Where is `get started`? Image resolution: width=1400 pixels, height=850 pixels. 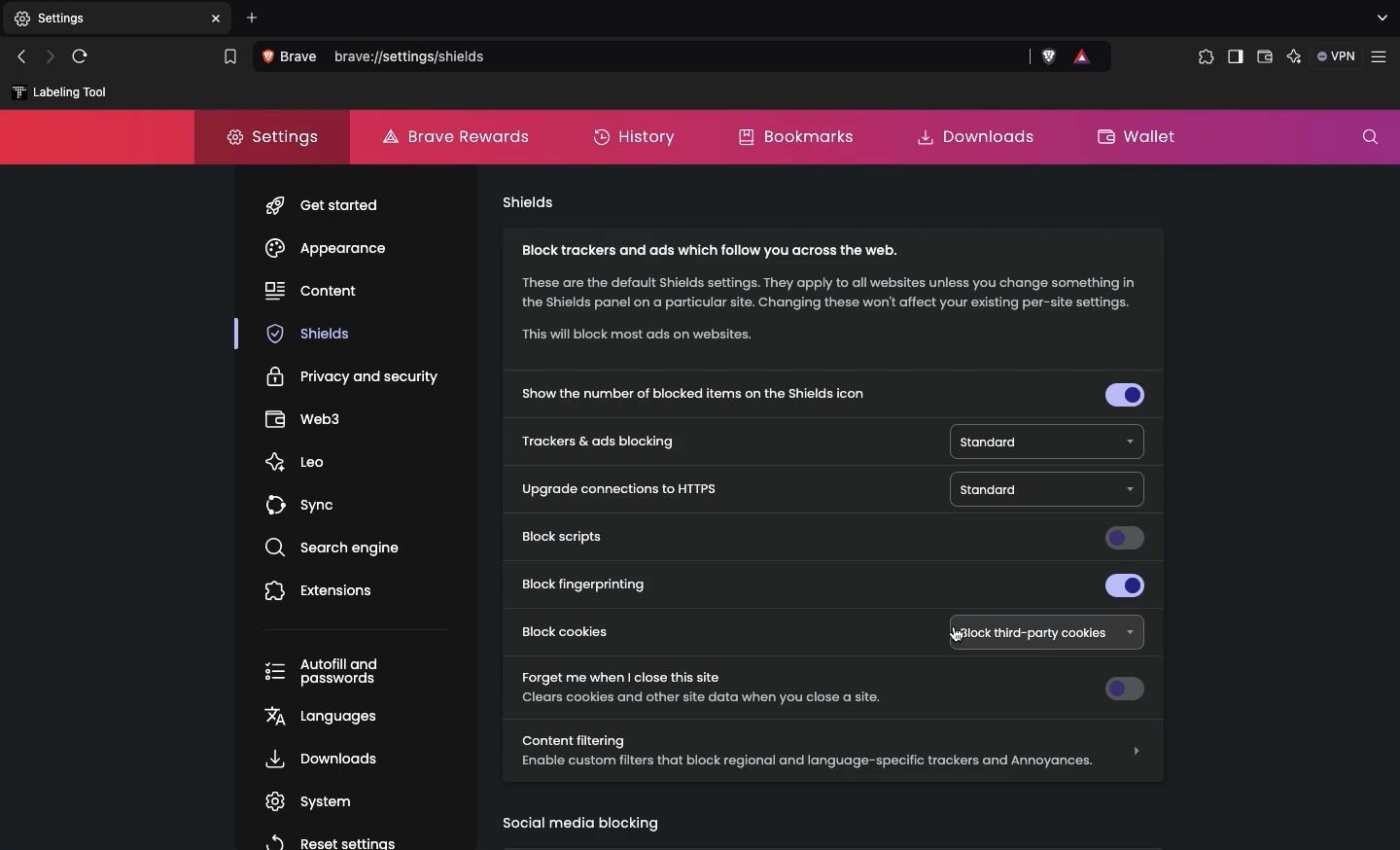
get started is located at coordinates (334, 204).